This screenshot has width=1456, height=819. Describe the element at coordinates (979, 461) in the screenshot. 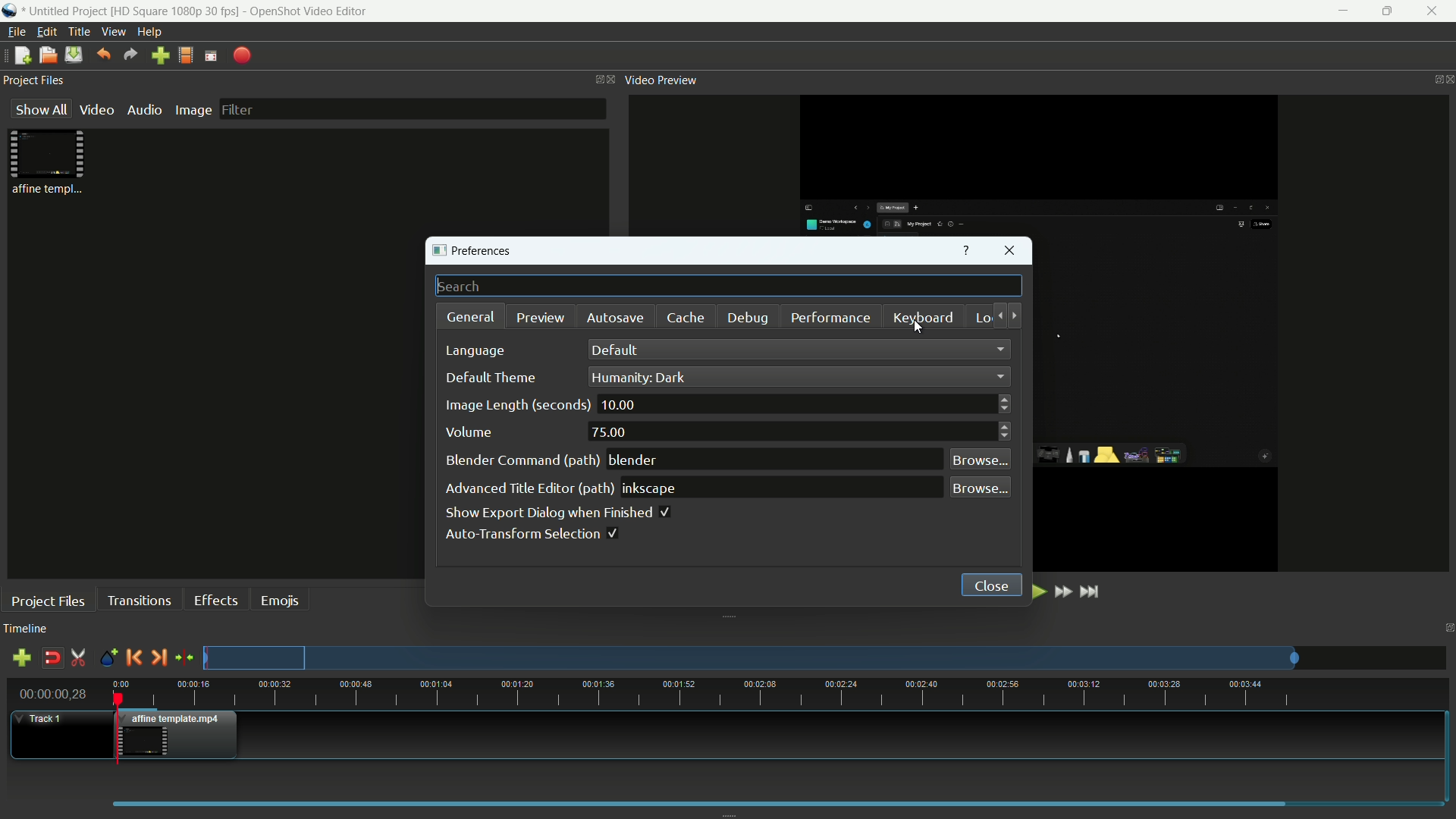

I see `browse` at that location.